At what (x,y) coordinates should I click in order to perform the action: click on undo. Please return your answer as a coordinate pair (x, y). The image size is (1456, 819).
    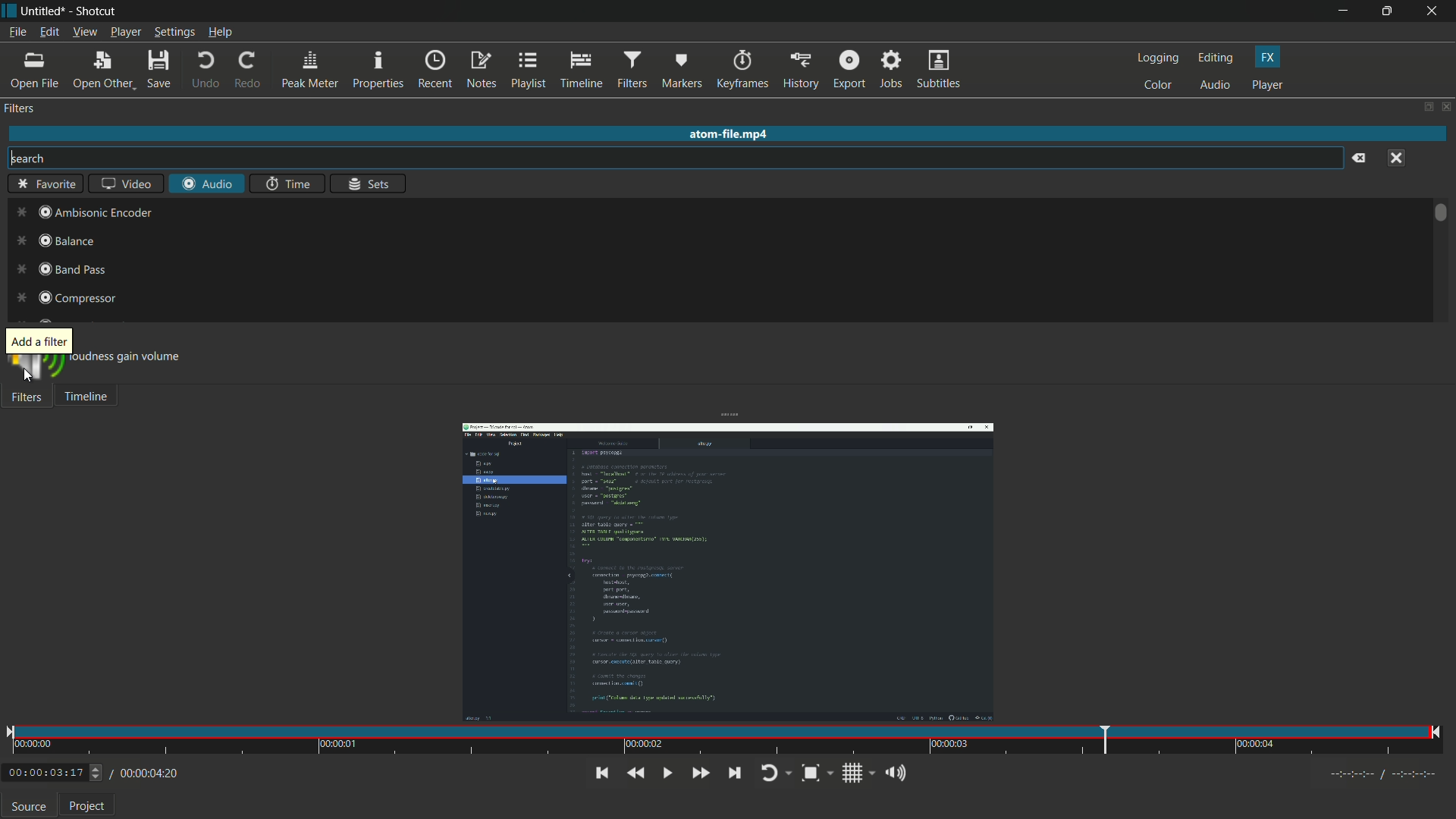
    Looking at the image, I should click on (206, 71).